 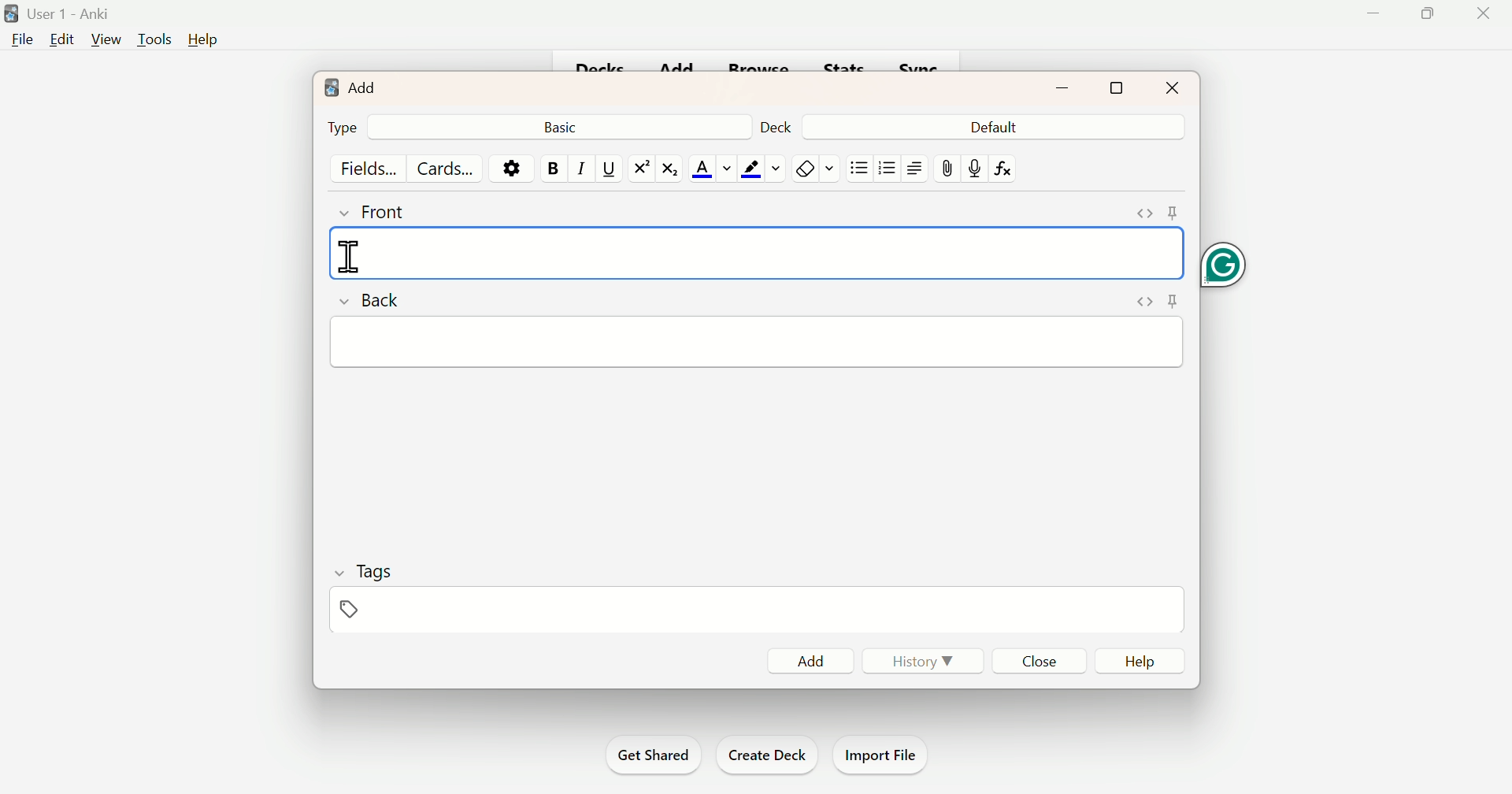 I want to click on Cards..., so click(x=442, y=167).